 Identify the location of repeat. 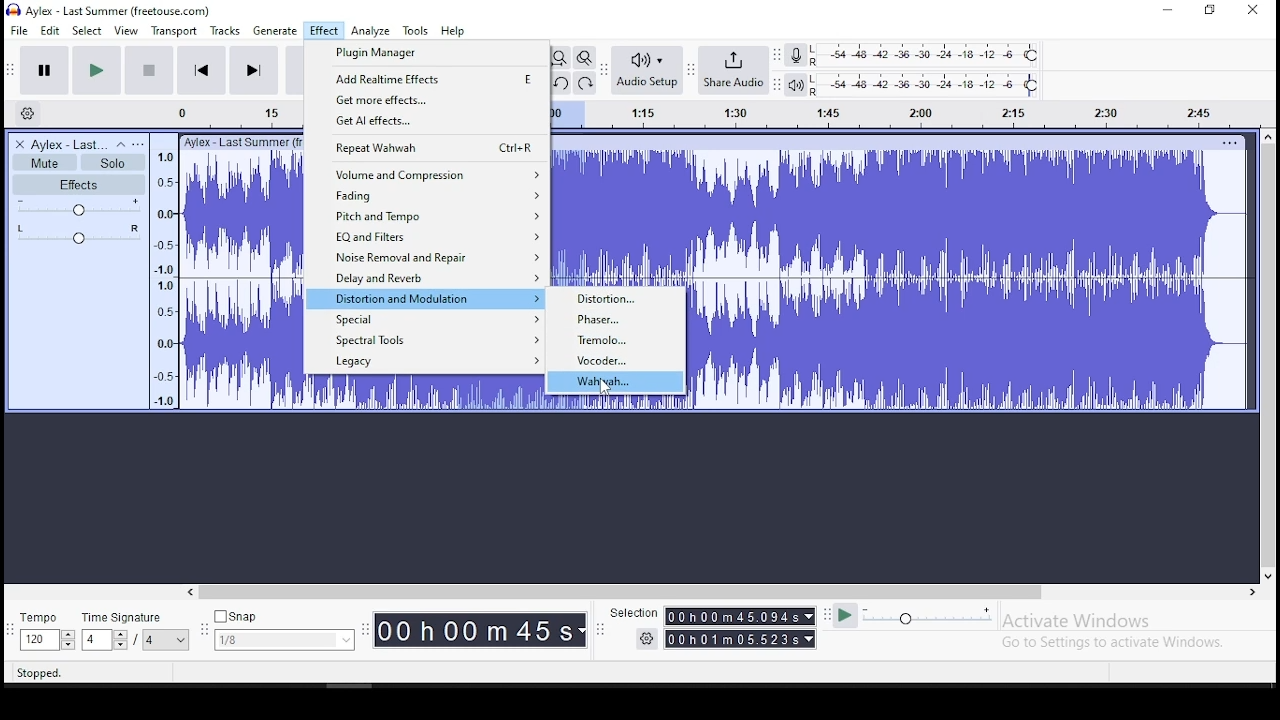
(429, 147).